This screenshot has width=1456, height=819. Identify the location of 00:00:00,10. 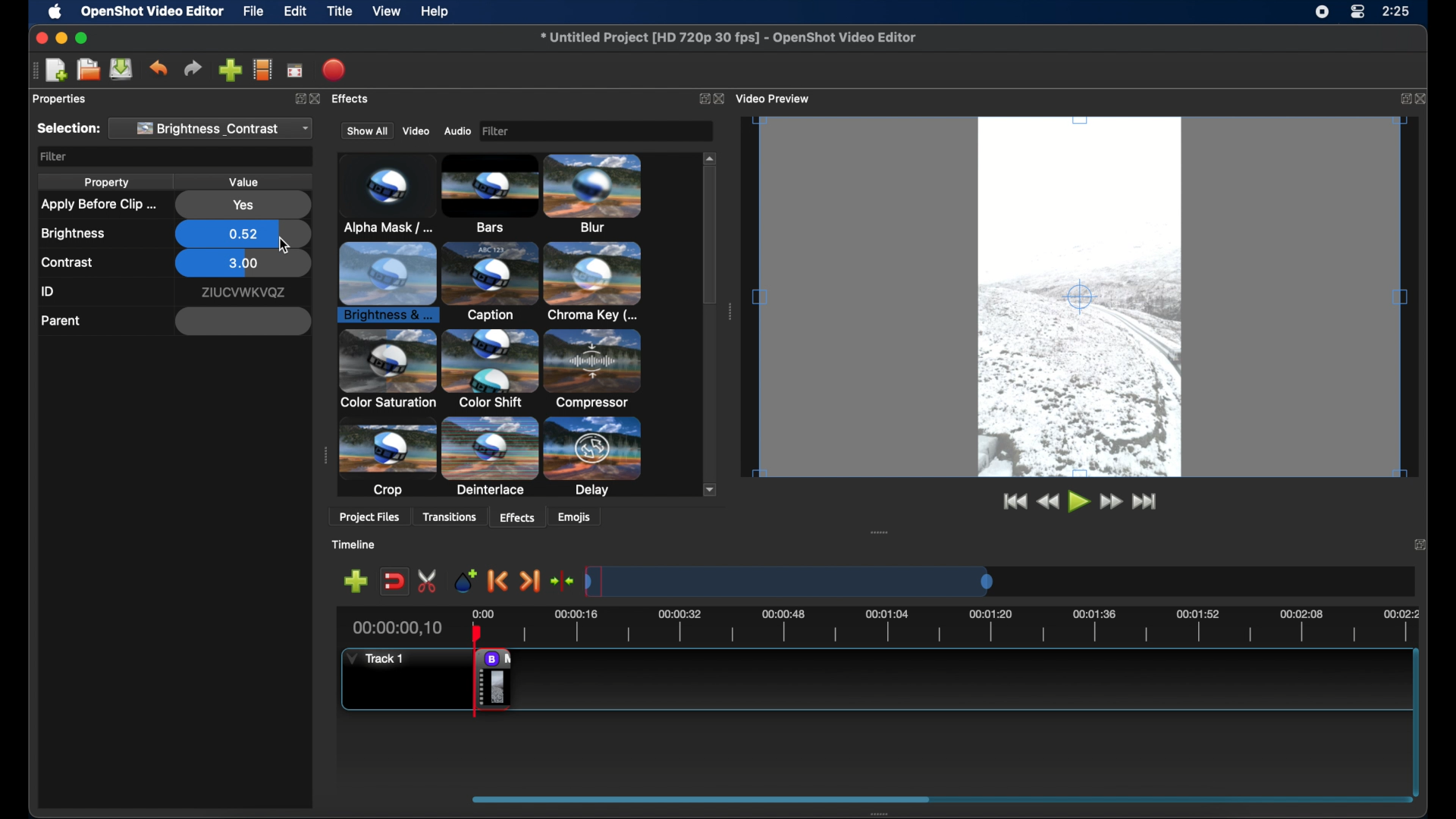
(397, 628).